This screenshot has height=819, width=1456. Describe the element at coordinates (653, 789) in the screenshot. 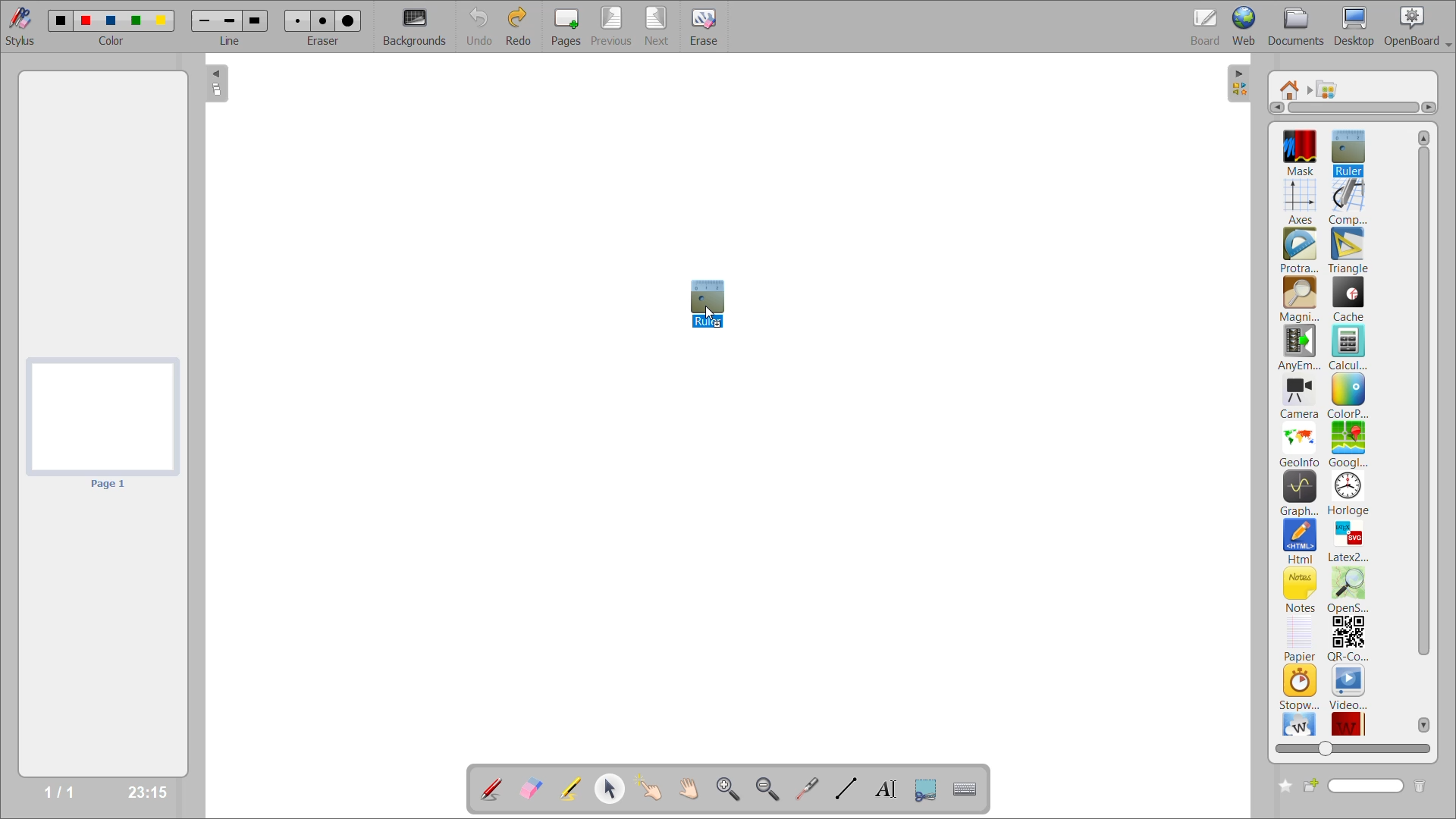

I see `interact with items` at that location.